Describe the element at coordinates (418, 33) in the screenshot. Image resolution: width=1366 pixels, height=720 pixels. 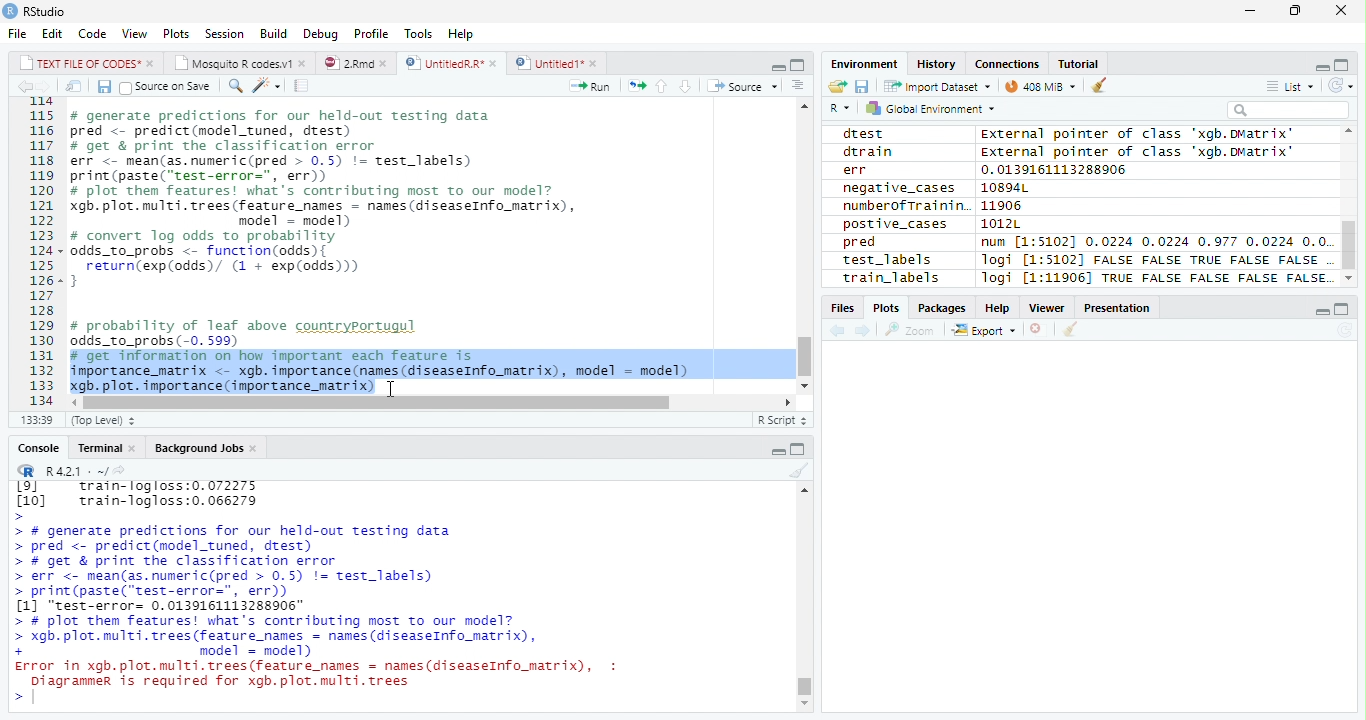
I see `Tools` at that location.